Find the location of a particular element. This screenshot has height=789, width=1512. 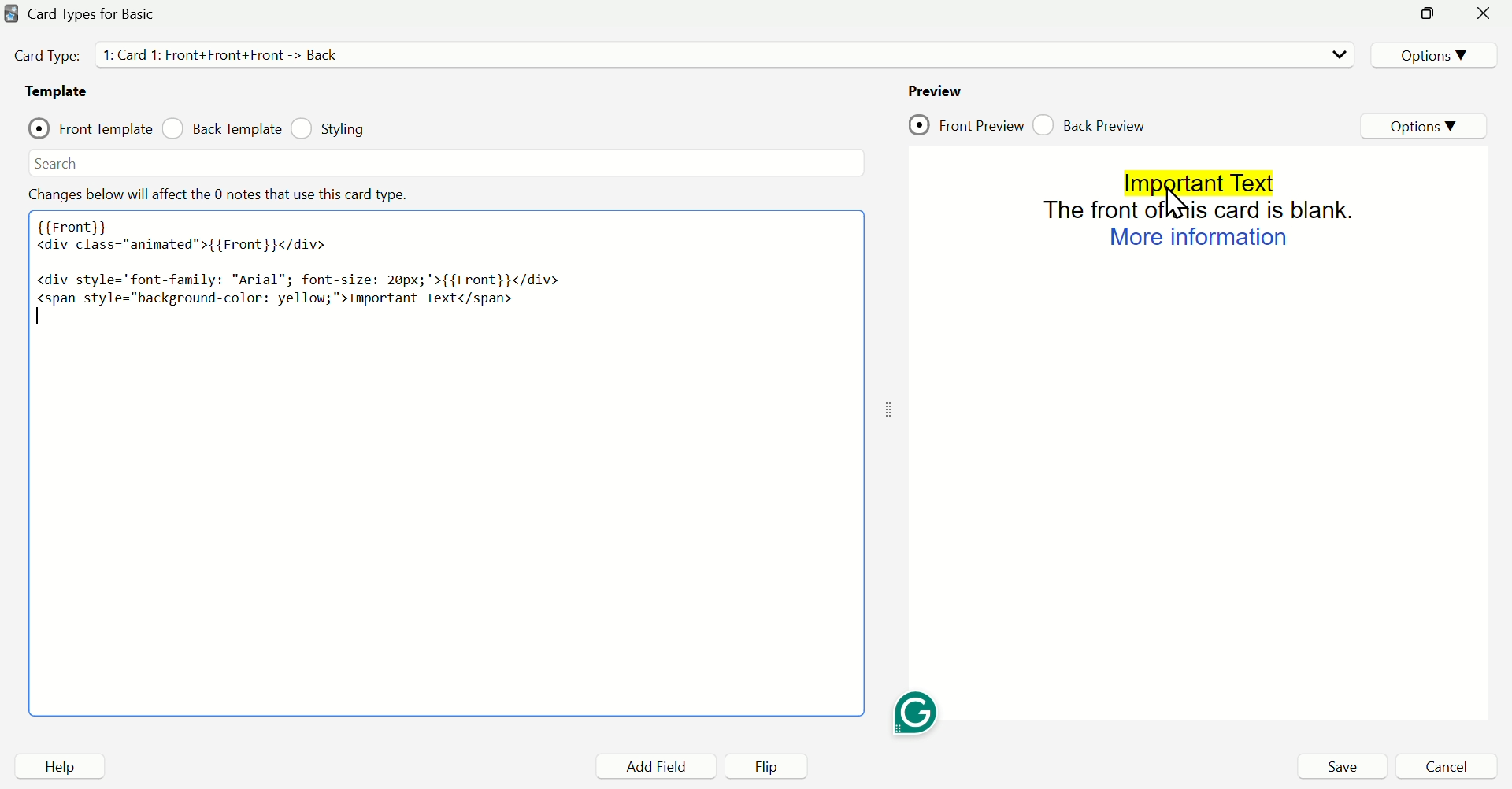

Template is located at coordinates (62, 92).